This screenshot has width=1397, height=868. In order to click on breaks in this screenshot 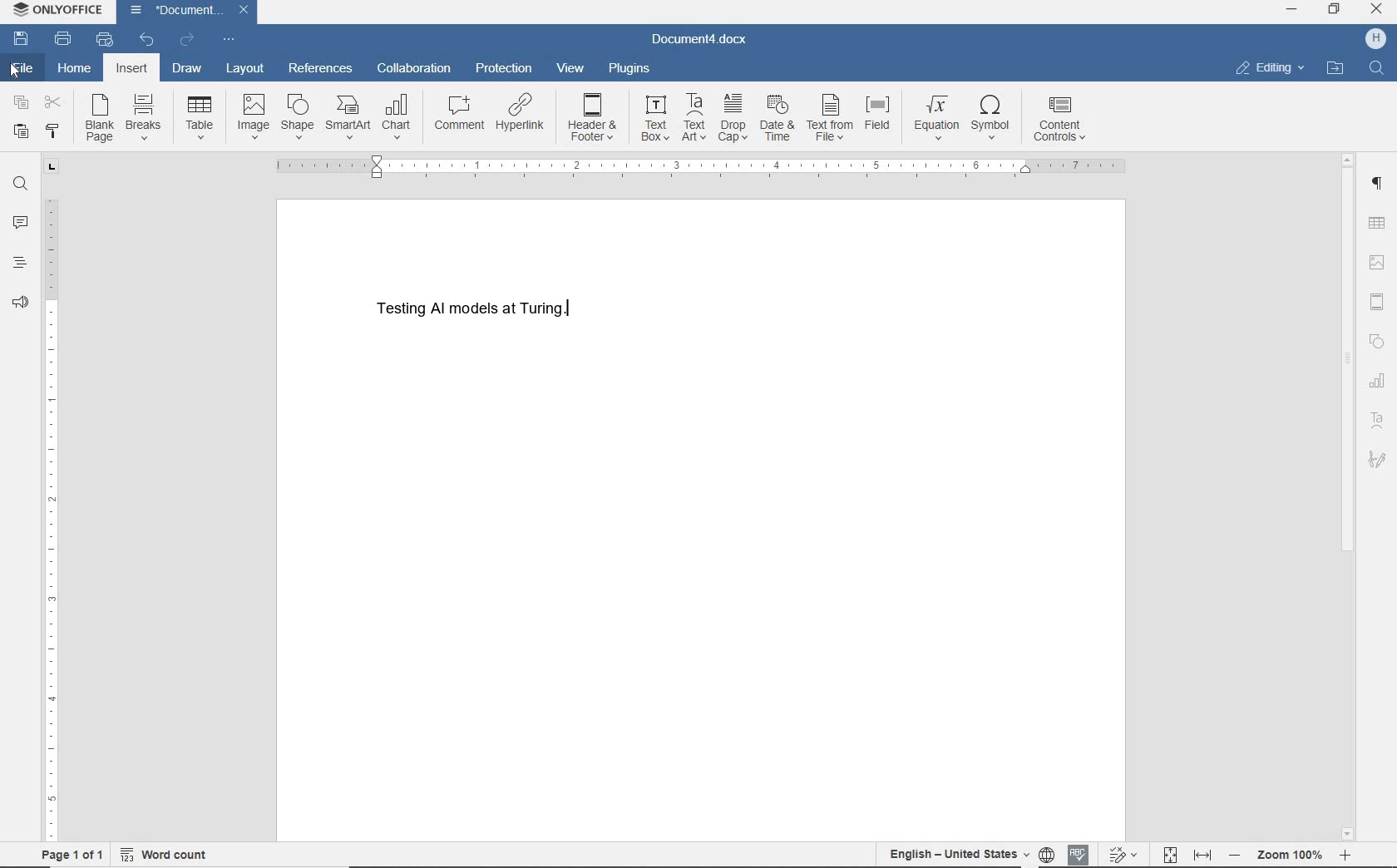, I will do `click(143, 121)`.